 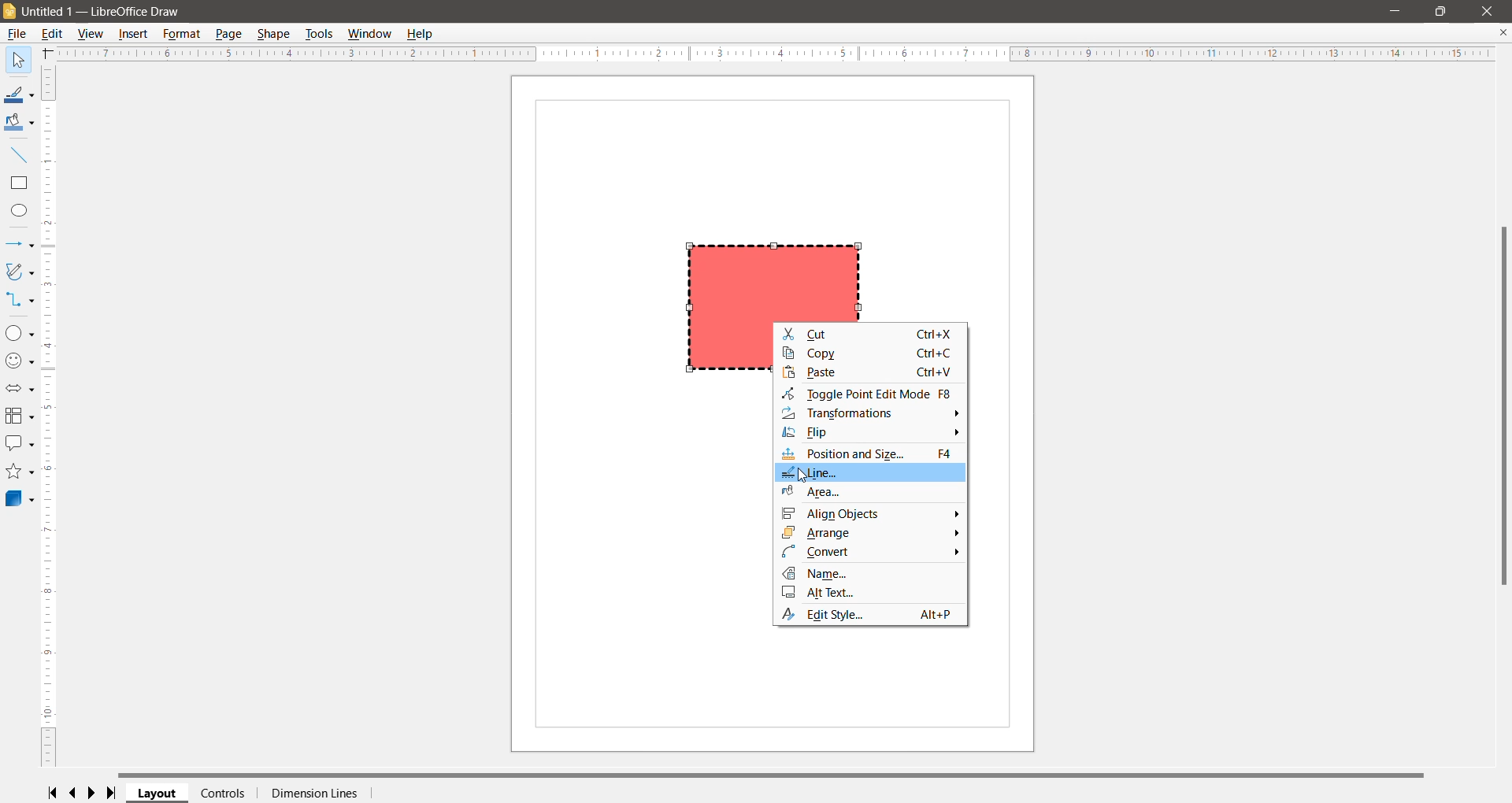 I want to click on Scroll to previous page, so click(x=74, y=794).